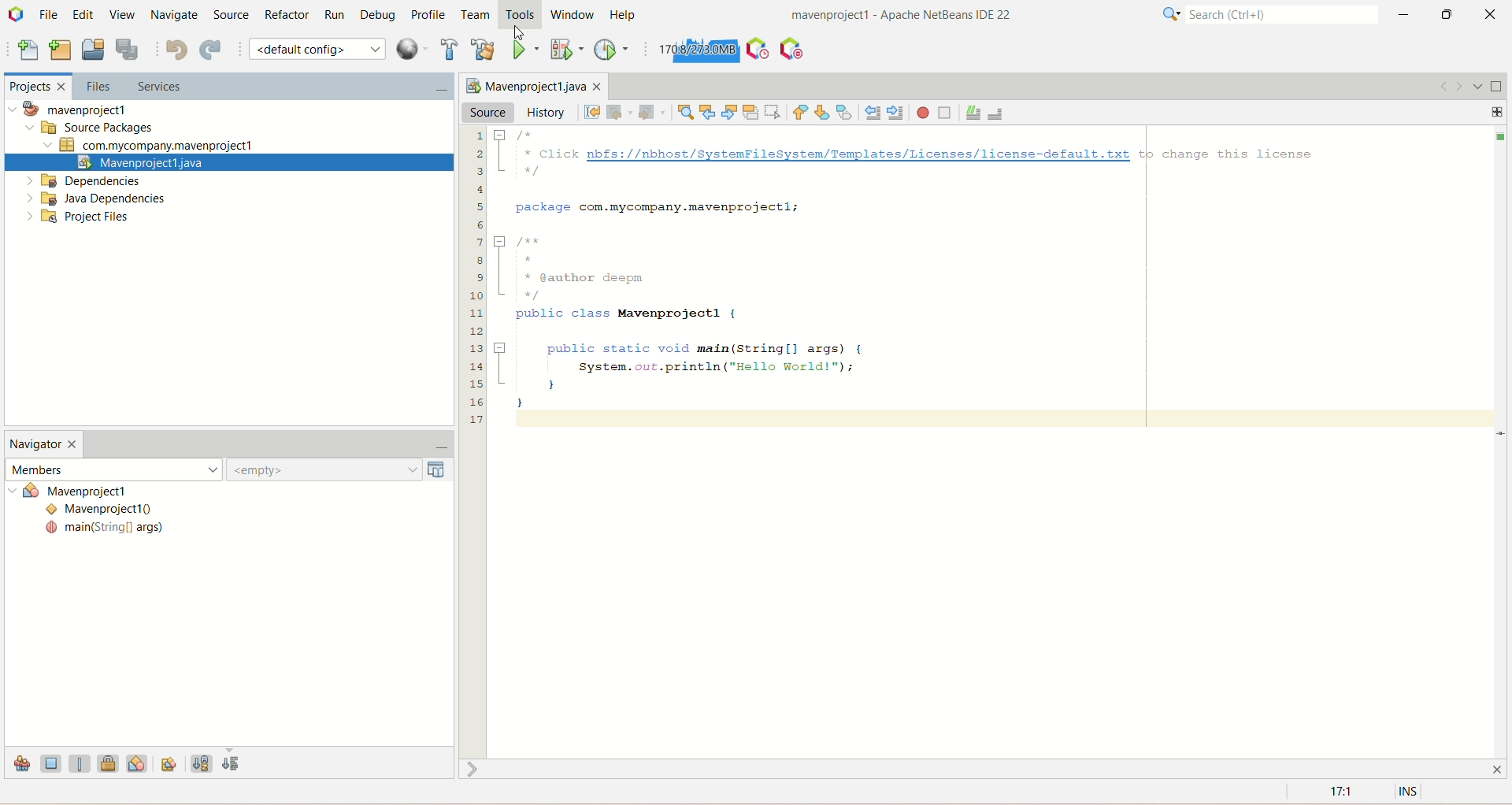 The height and width of the screenshot is (805, 1512). I want to click on find selection, so click(684, 112).